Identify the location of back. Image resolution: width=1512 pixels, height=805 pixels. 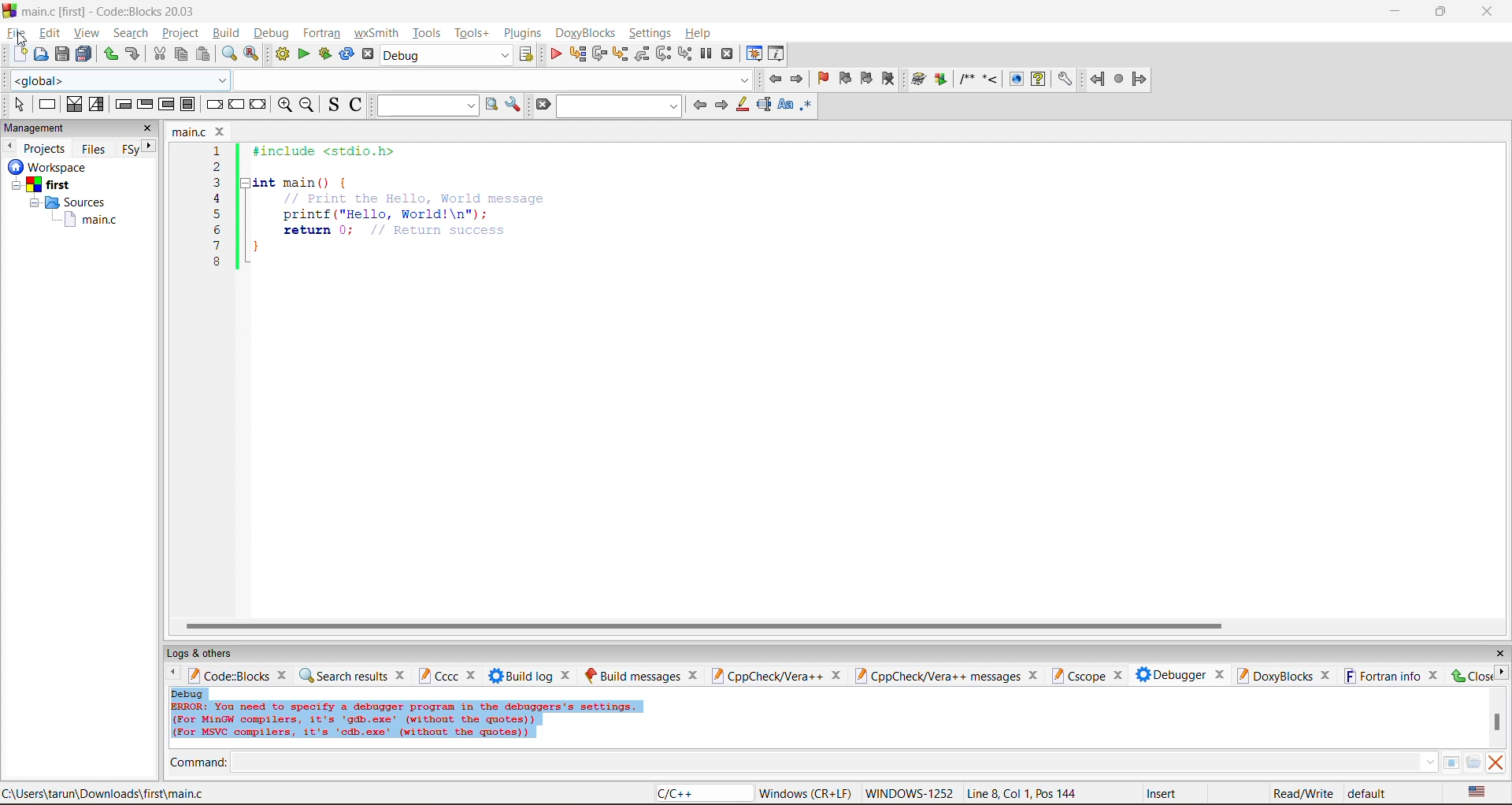
(1099, 79).